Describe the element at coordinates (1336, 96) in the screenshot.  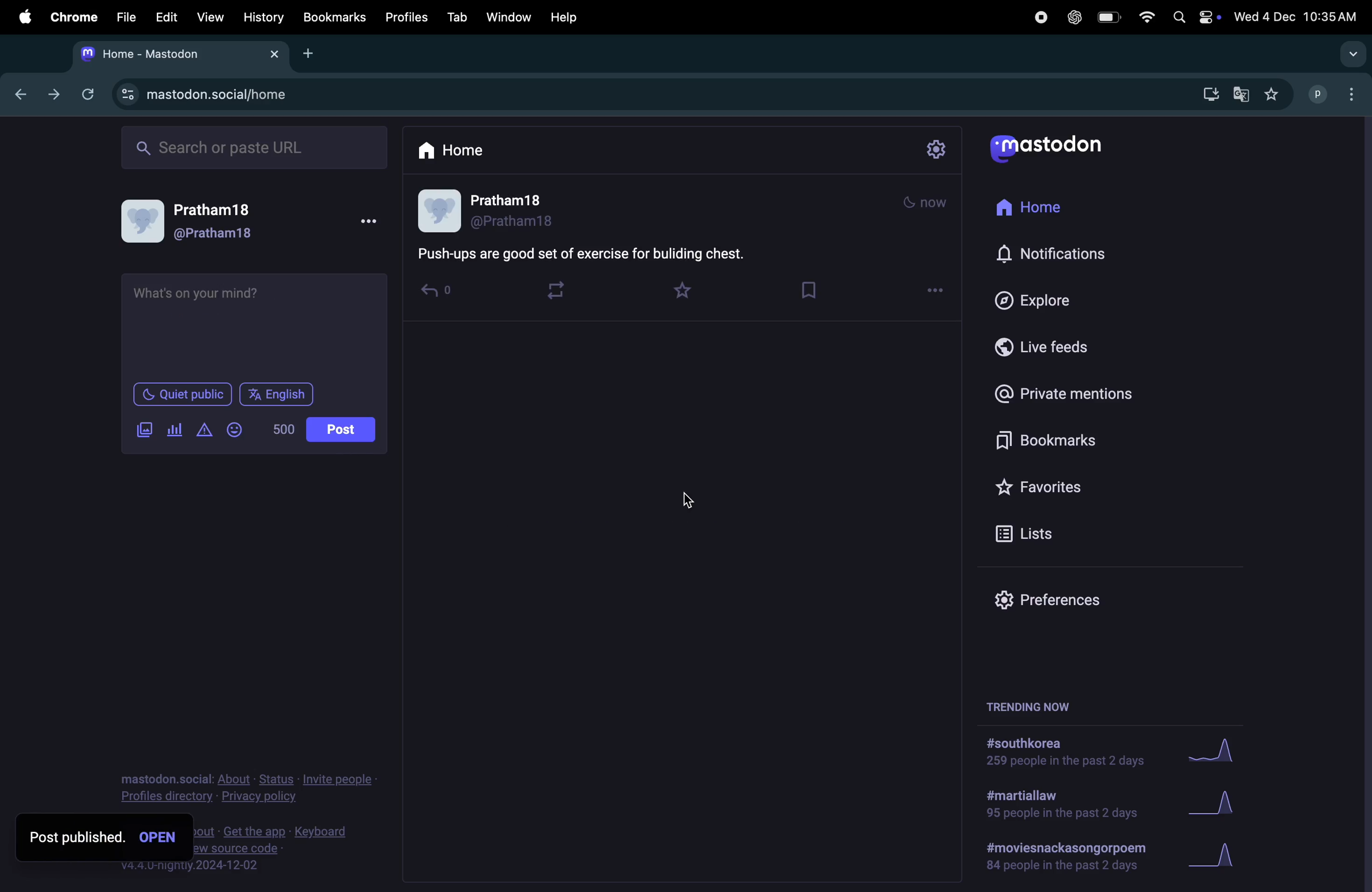
I see `chrome profile` at that location.